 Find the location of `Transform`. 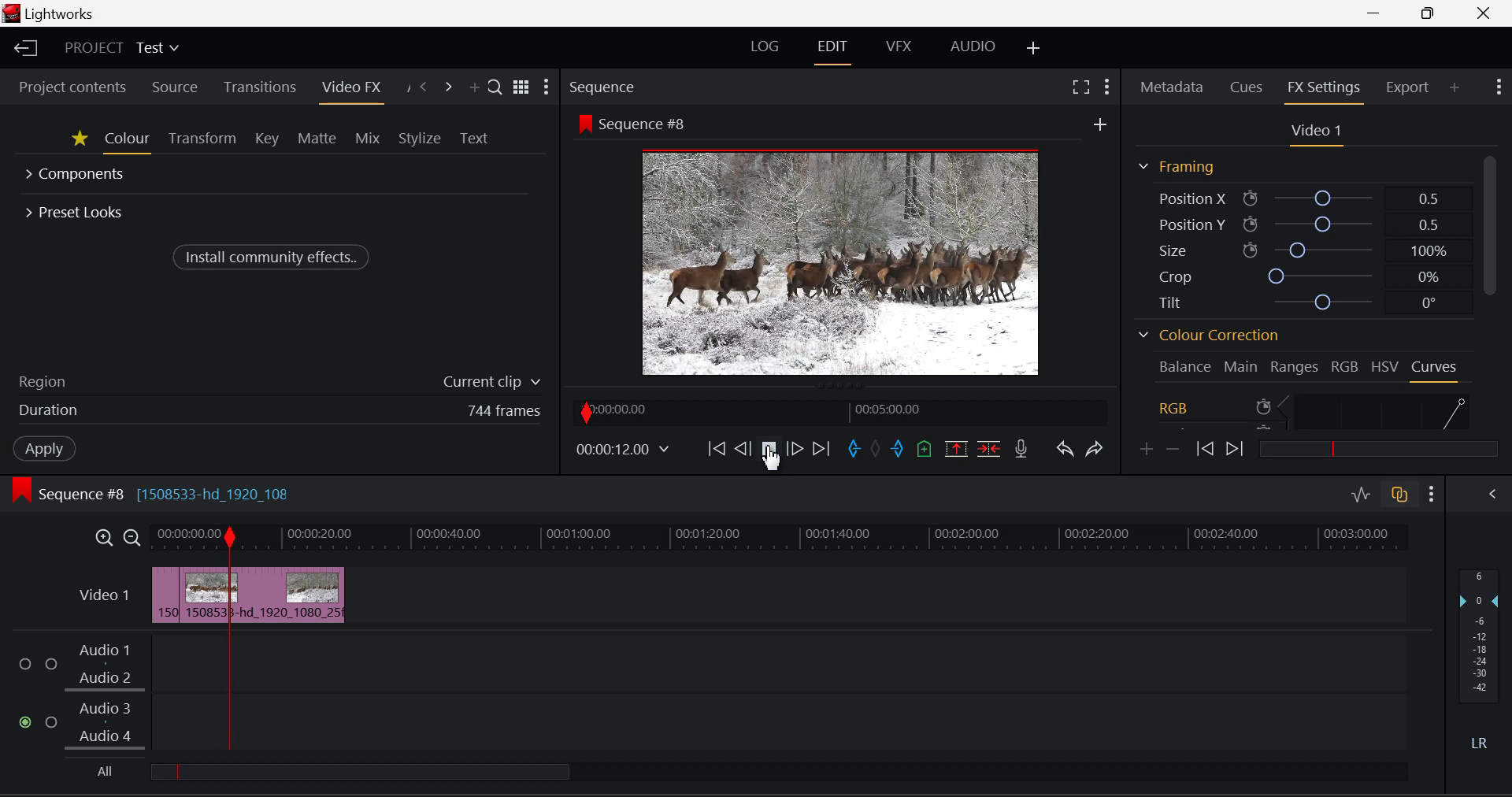

Transform is located at coordinates (200, 140).